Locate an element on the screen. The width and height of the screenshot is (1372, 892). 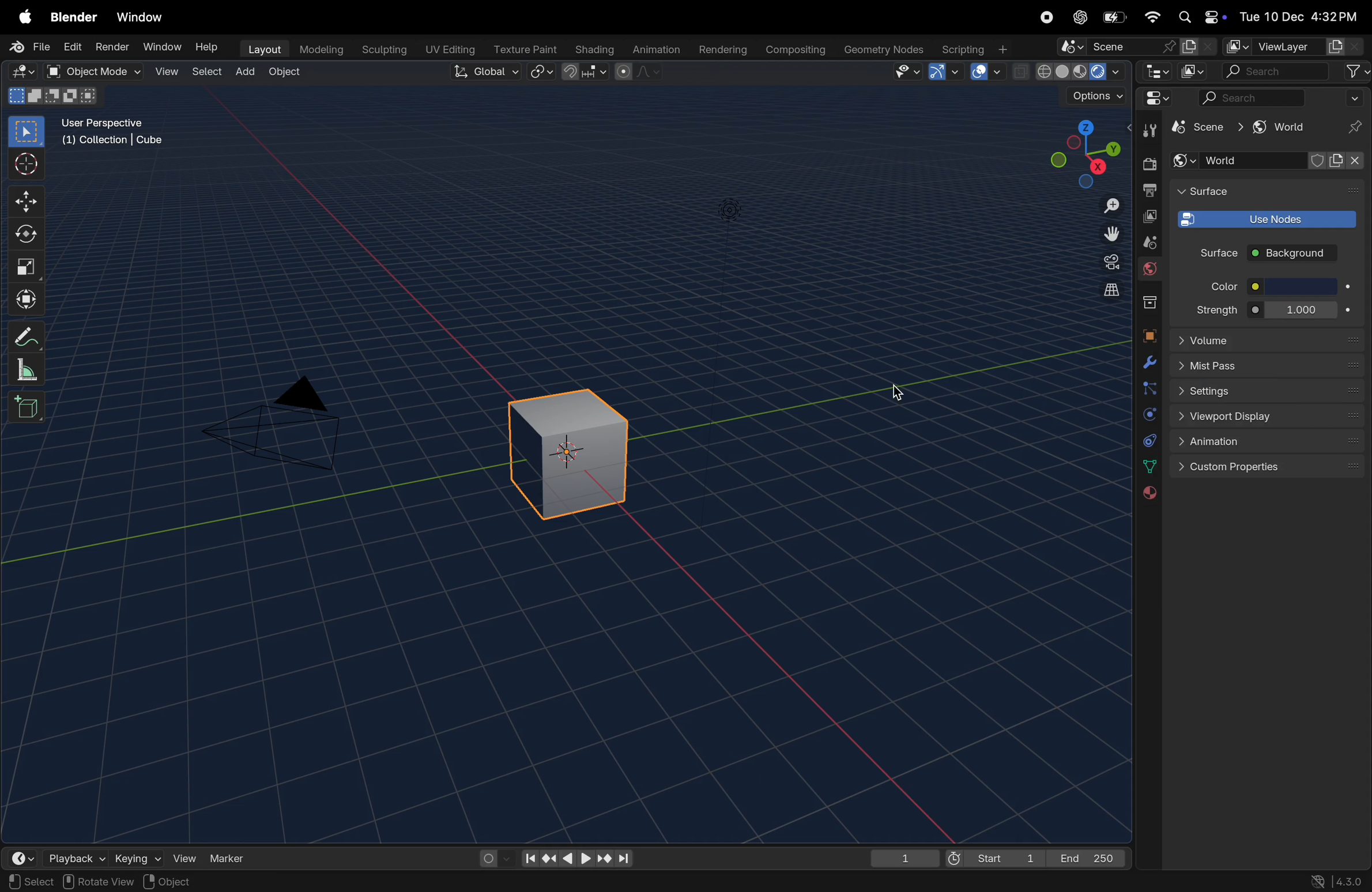
data  is located at coordinates (1147, 466).